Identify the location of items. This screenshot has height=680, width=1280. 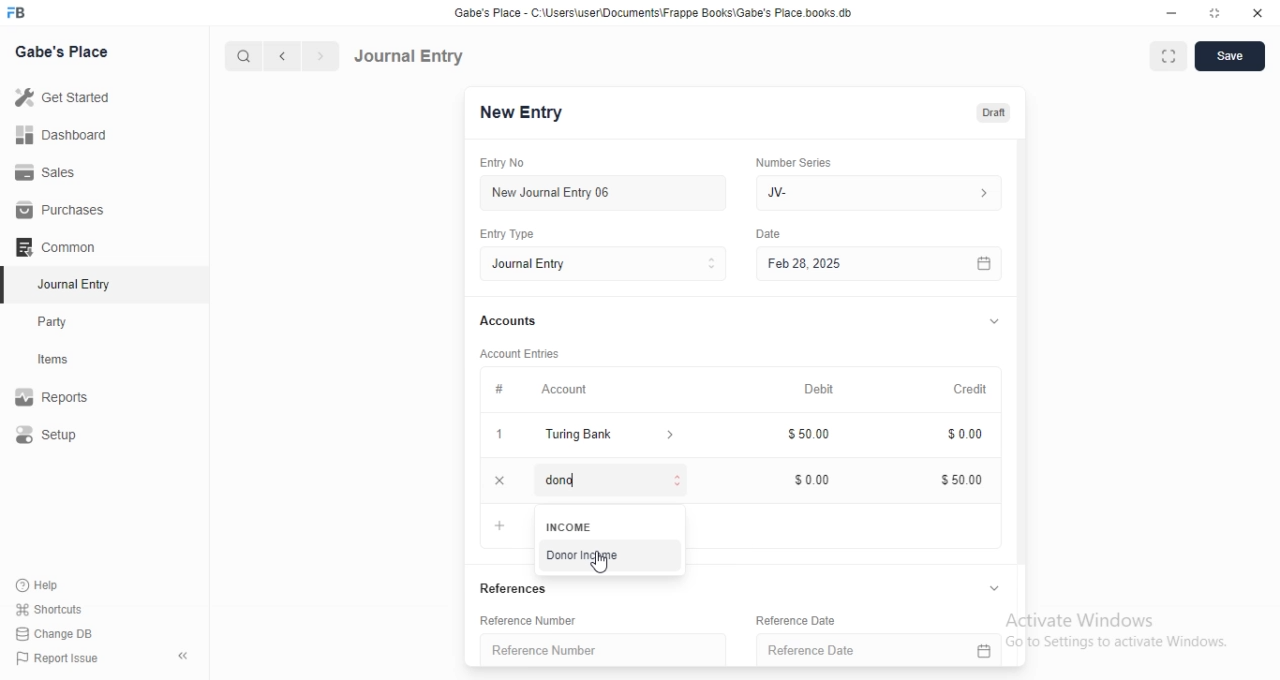
(66, 361).